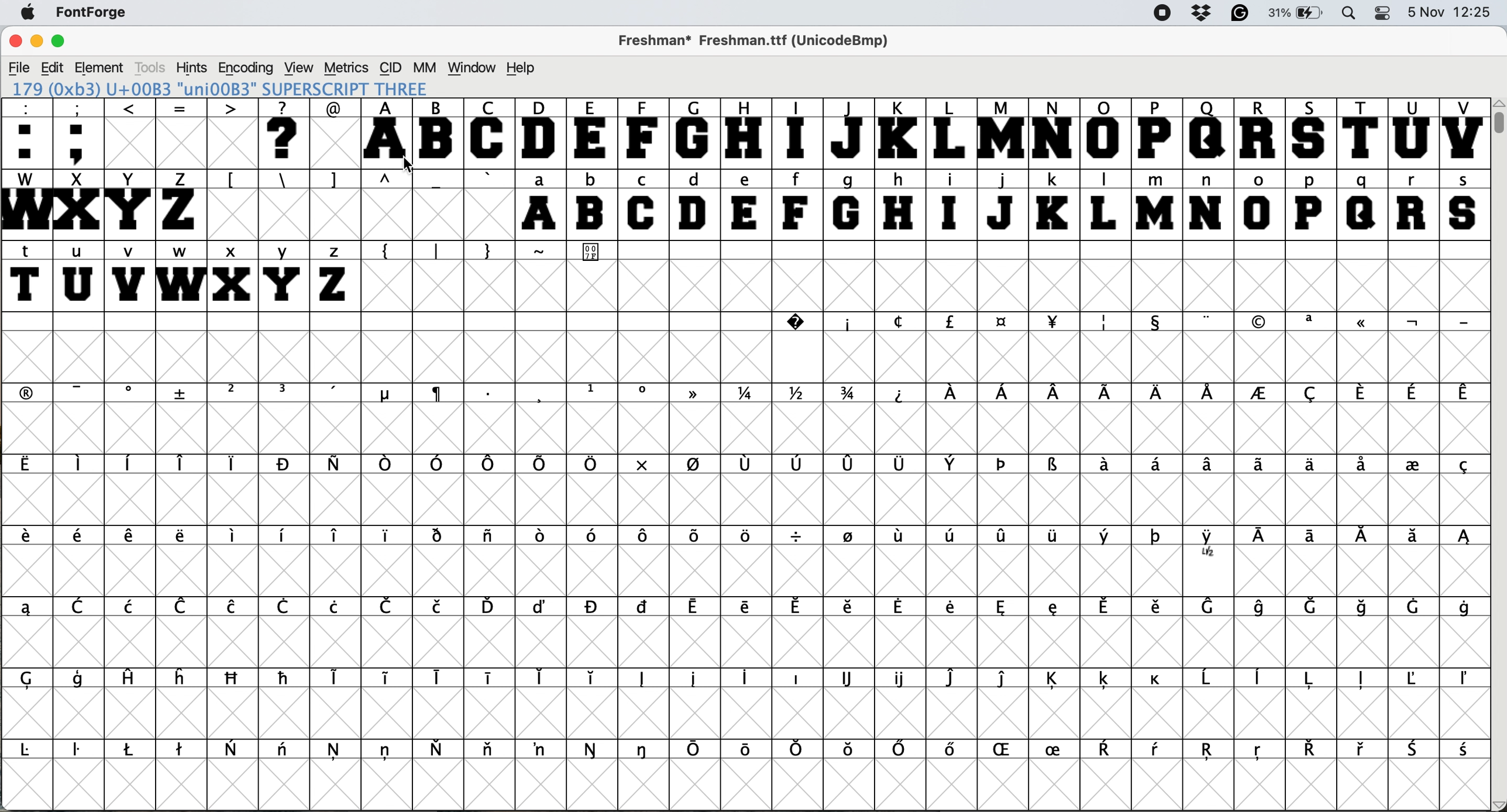 This screenshot has width=1507, height=812. Describe the element at coordinates (387, 534) in the screenshot. I see `symbol` at that location.